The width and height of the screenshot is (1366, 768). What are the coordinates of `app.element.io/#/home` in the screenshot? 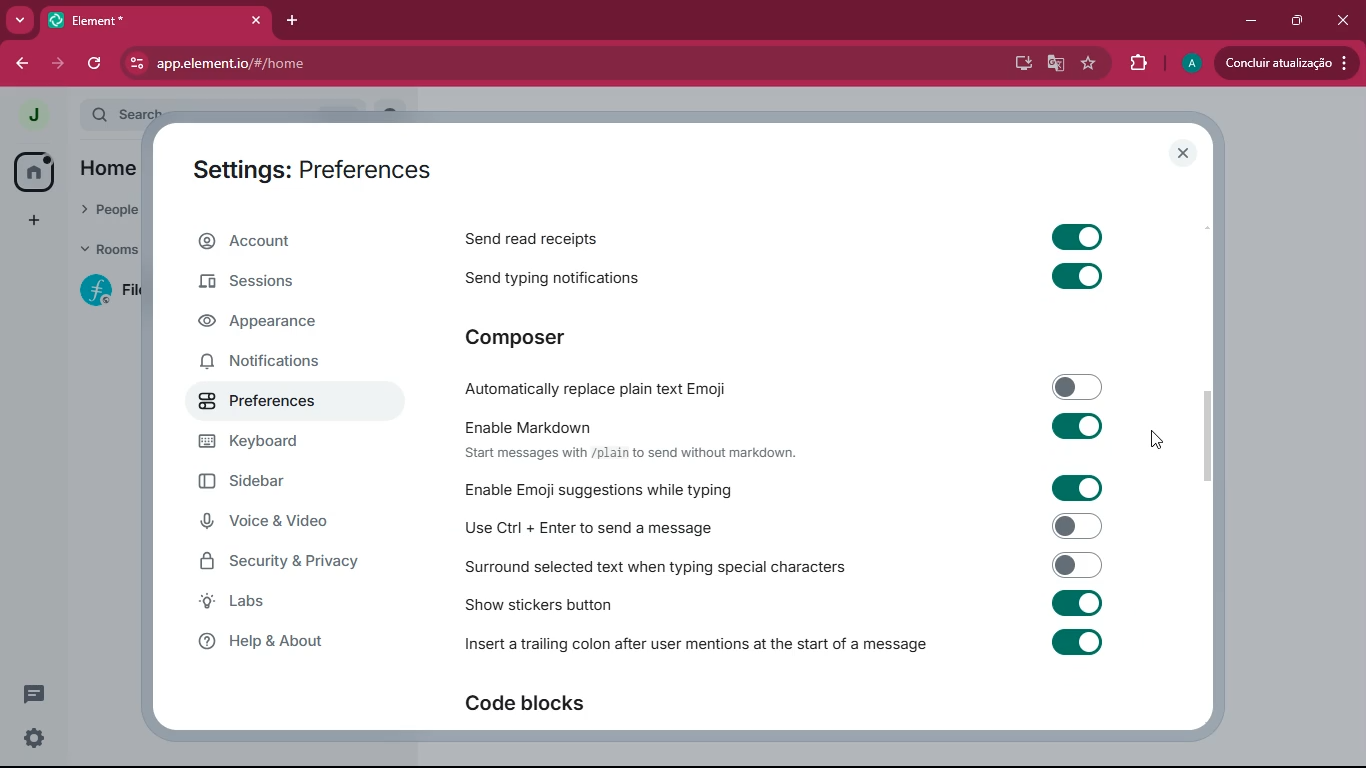 It's located at (358, 65).